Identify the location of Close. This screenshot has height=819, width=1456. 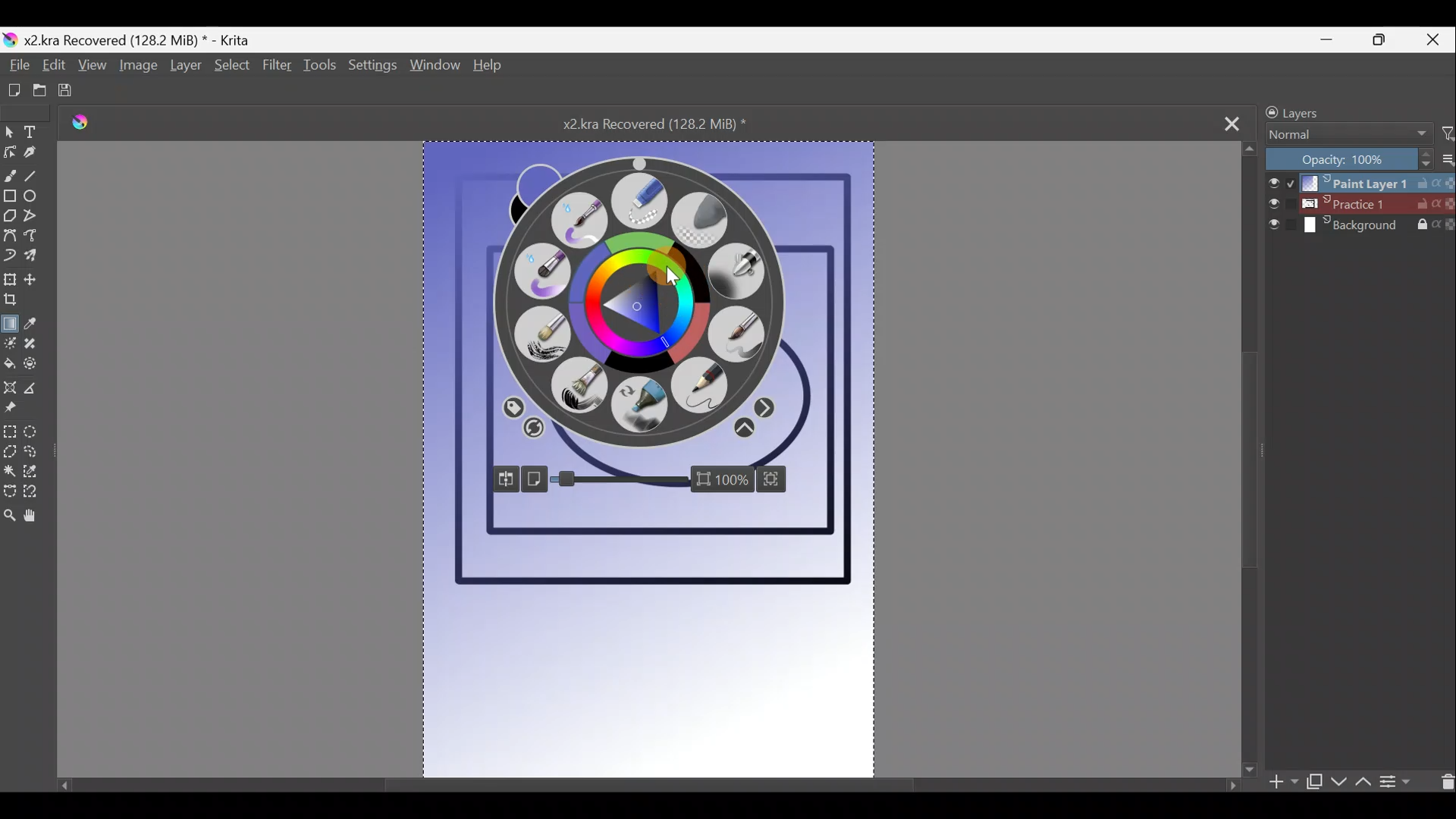
(1436, 39).